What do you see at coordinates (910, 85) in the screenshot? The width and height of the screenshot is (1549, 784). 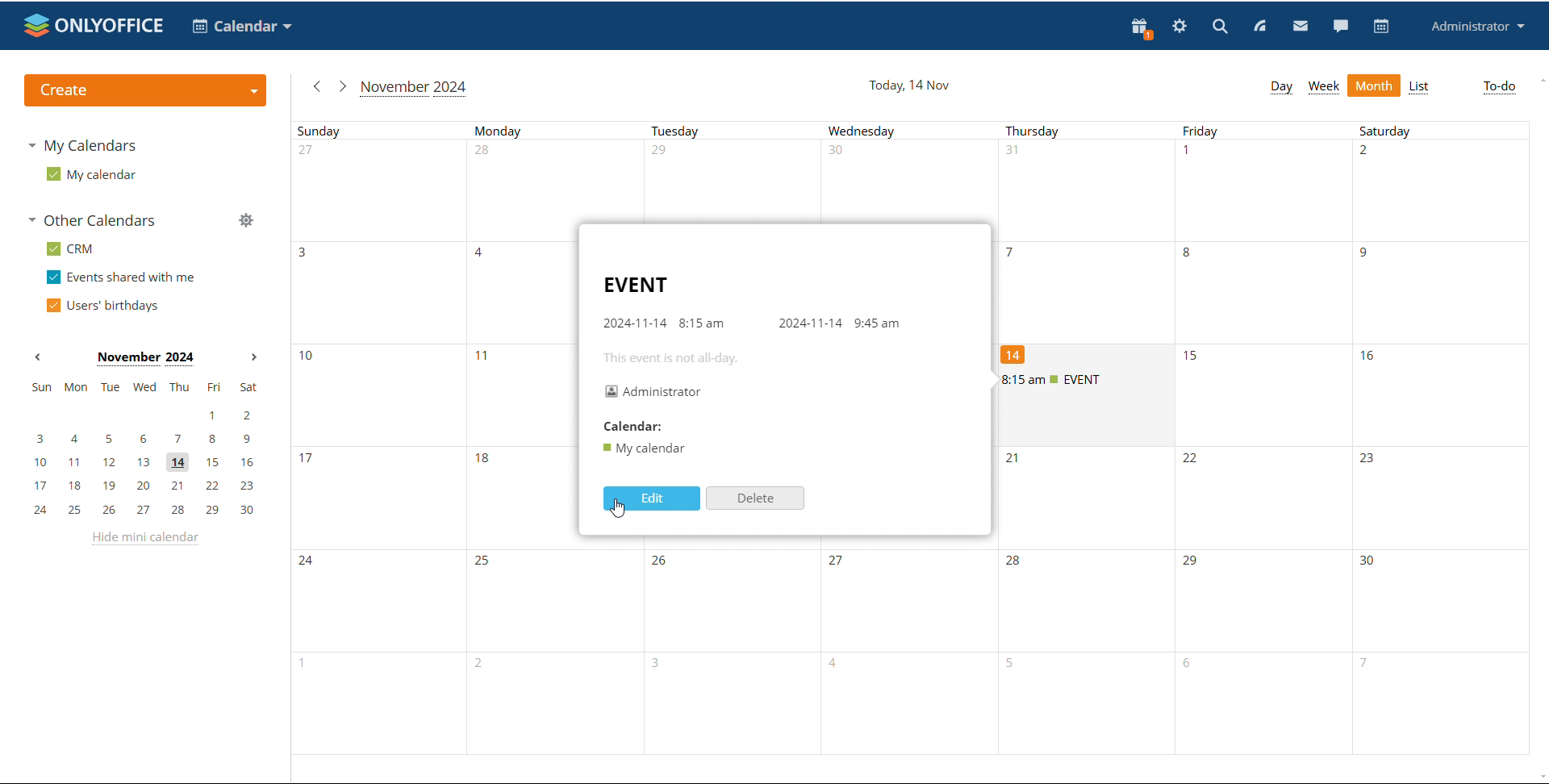 I see `current date` at bounding box center [910, 85].